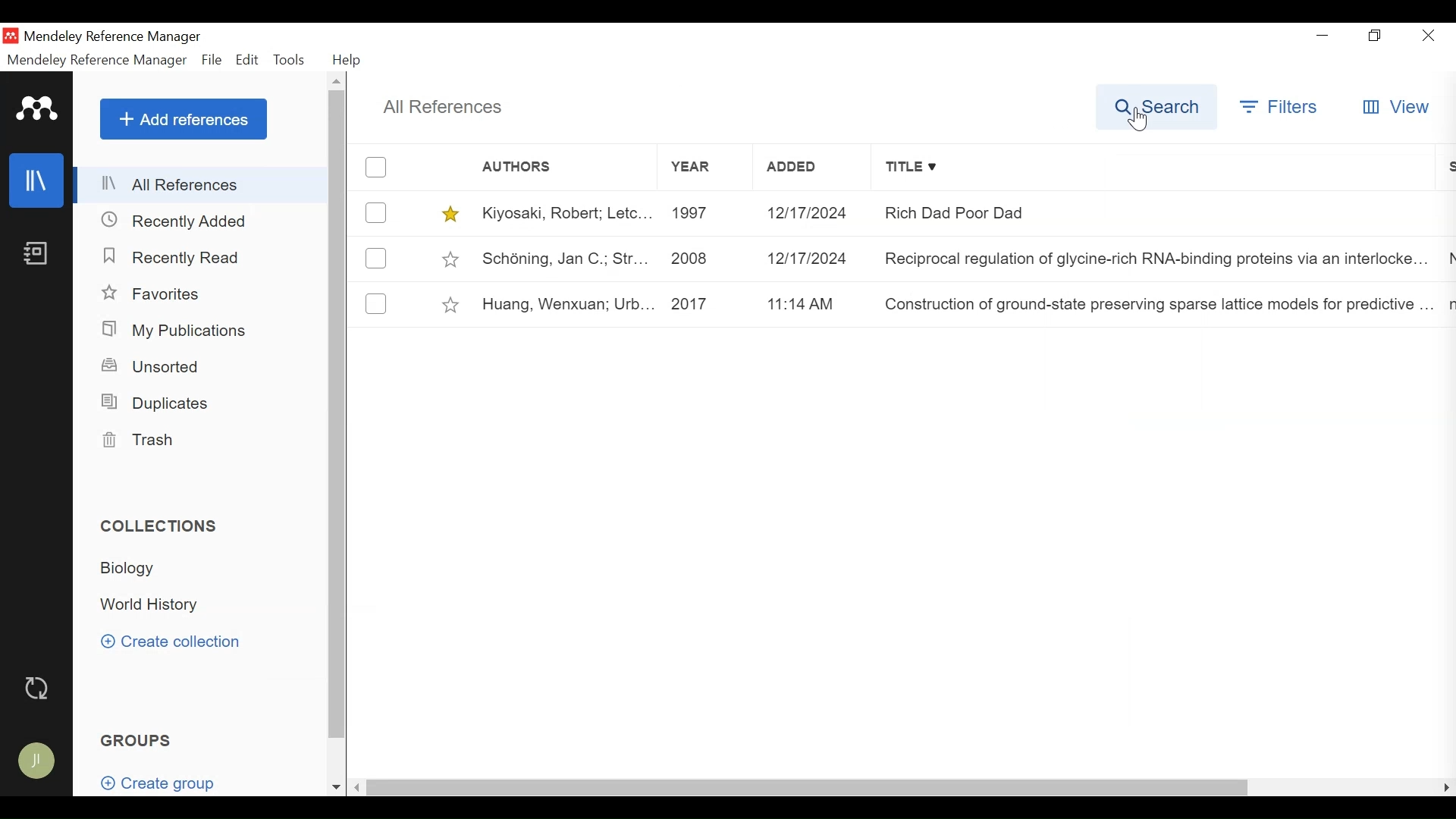  Describe the element at coordinates (811, 257) in the screenshot. I see `12/17/2024` at that location.